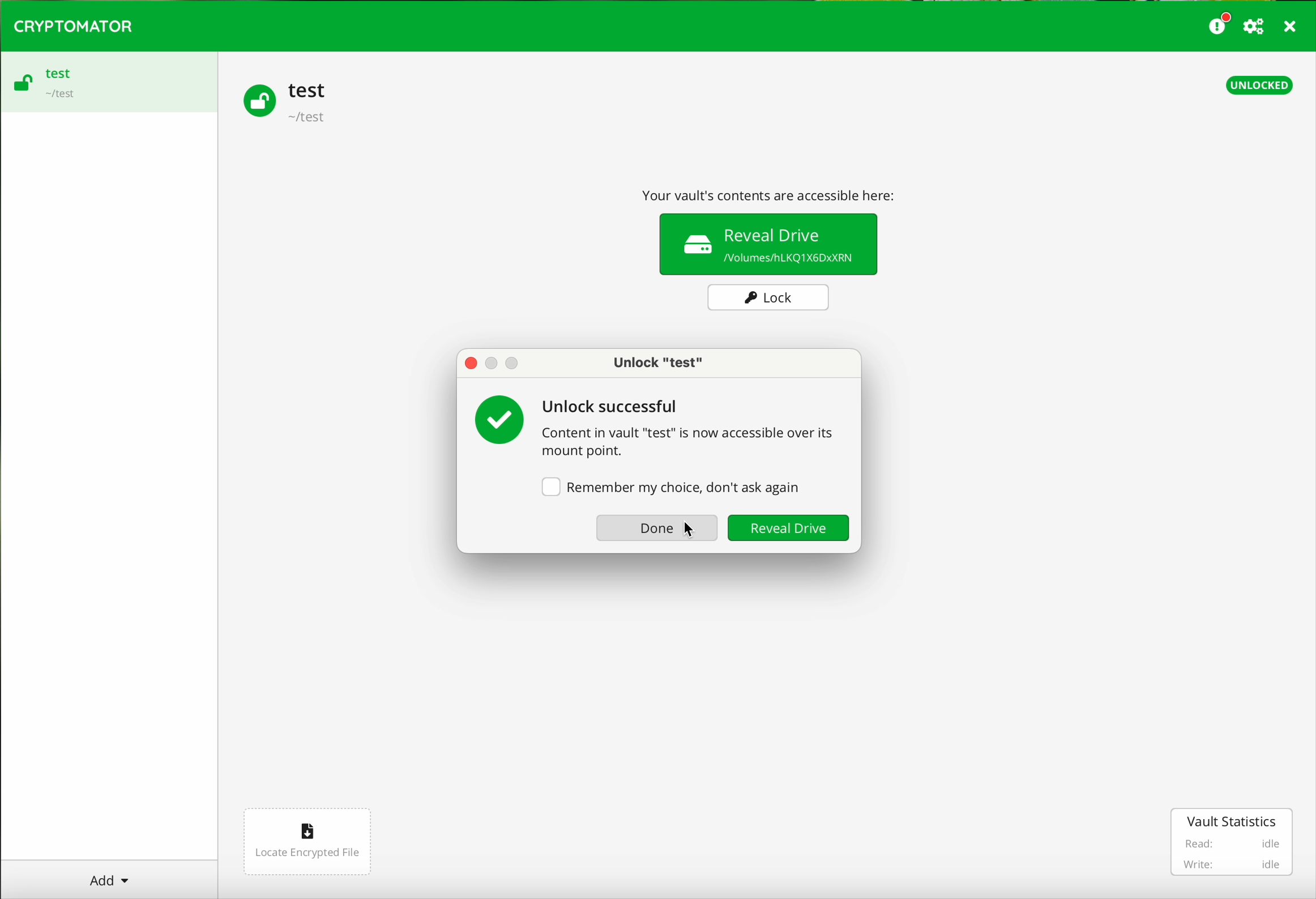 This screenshot has width=1316, height=899. I want to click on close, so click(1291, 28).